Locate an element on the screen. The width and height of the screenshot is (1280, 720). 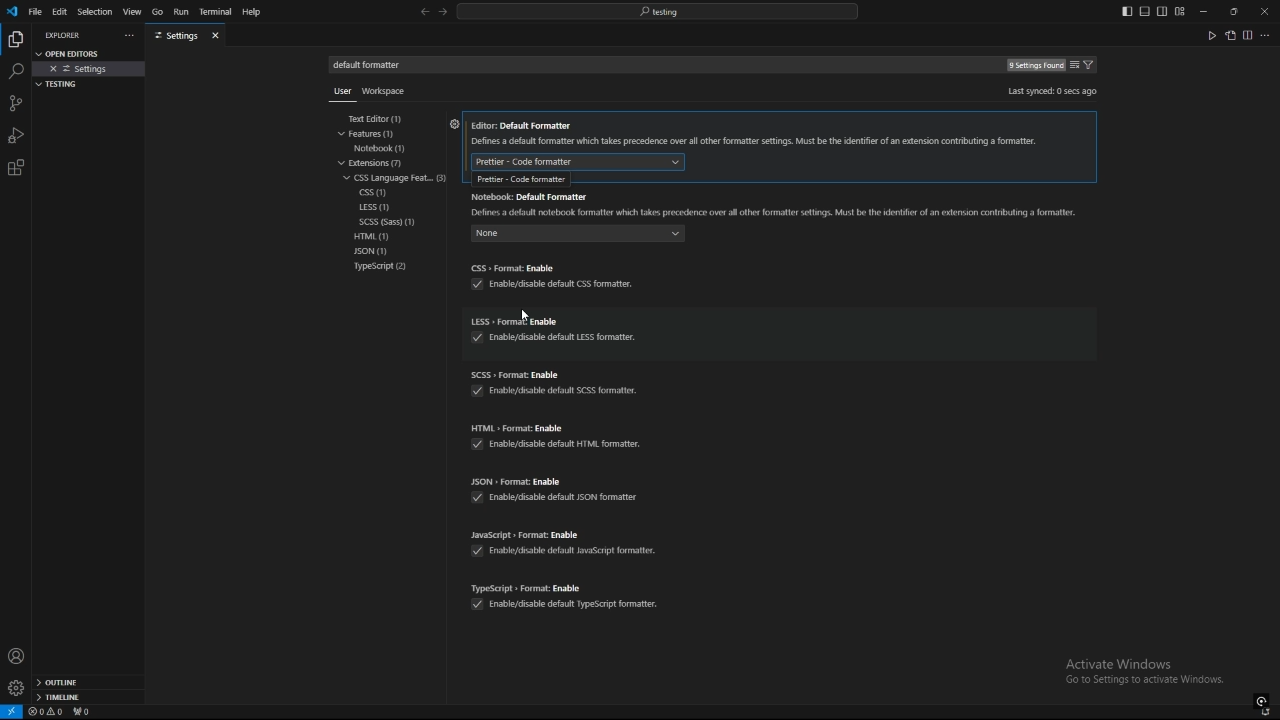
more actions is located at coordinates (1266, 35).